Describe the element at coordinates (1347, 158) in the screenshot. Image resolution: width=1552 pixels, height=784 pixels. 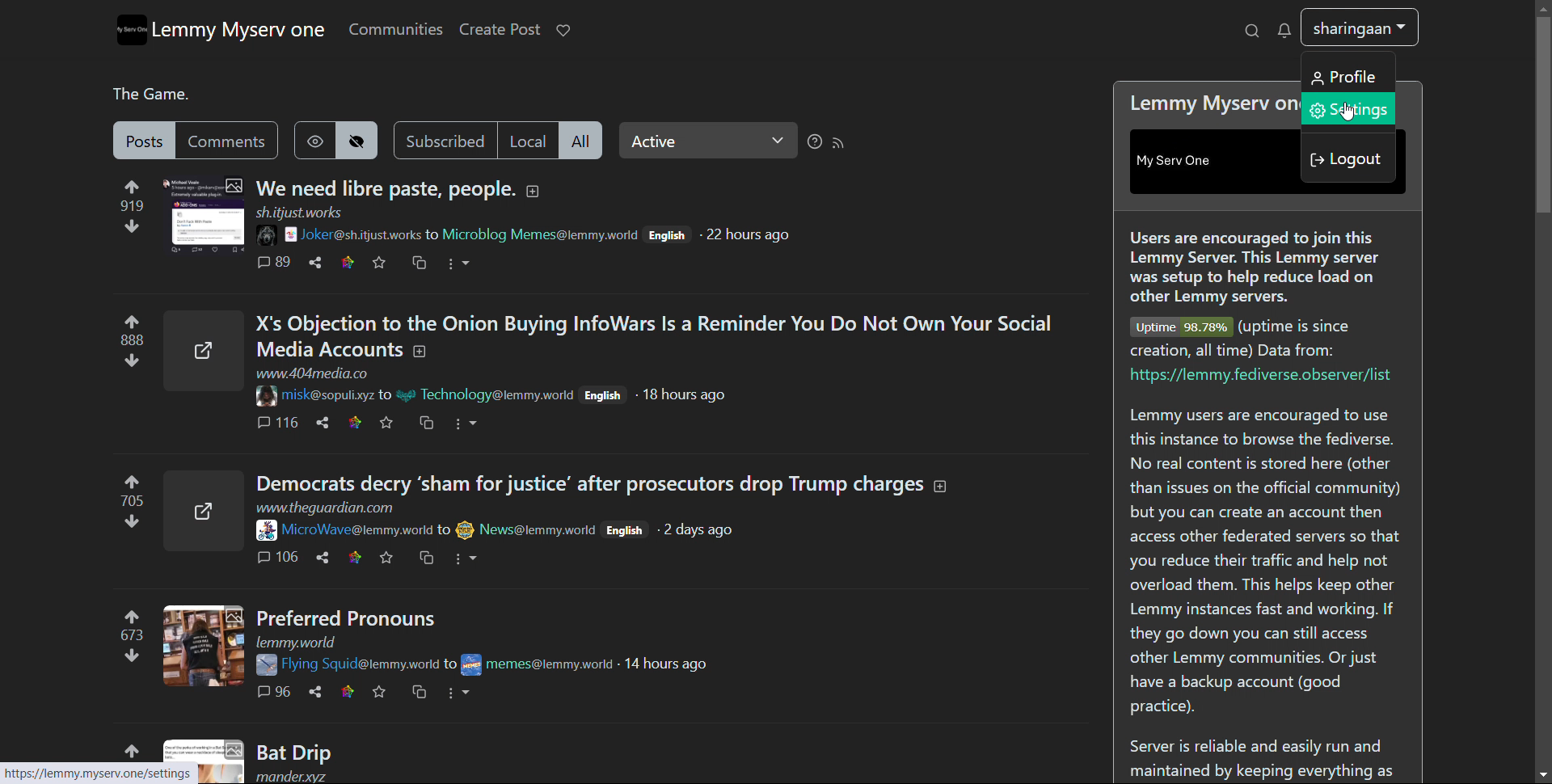
I see `logout` at that location.